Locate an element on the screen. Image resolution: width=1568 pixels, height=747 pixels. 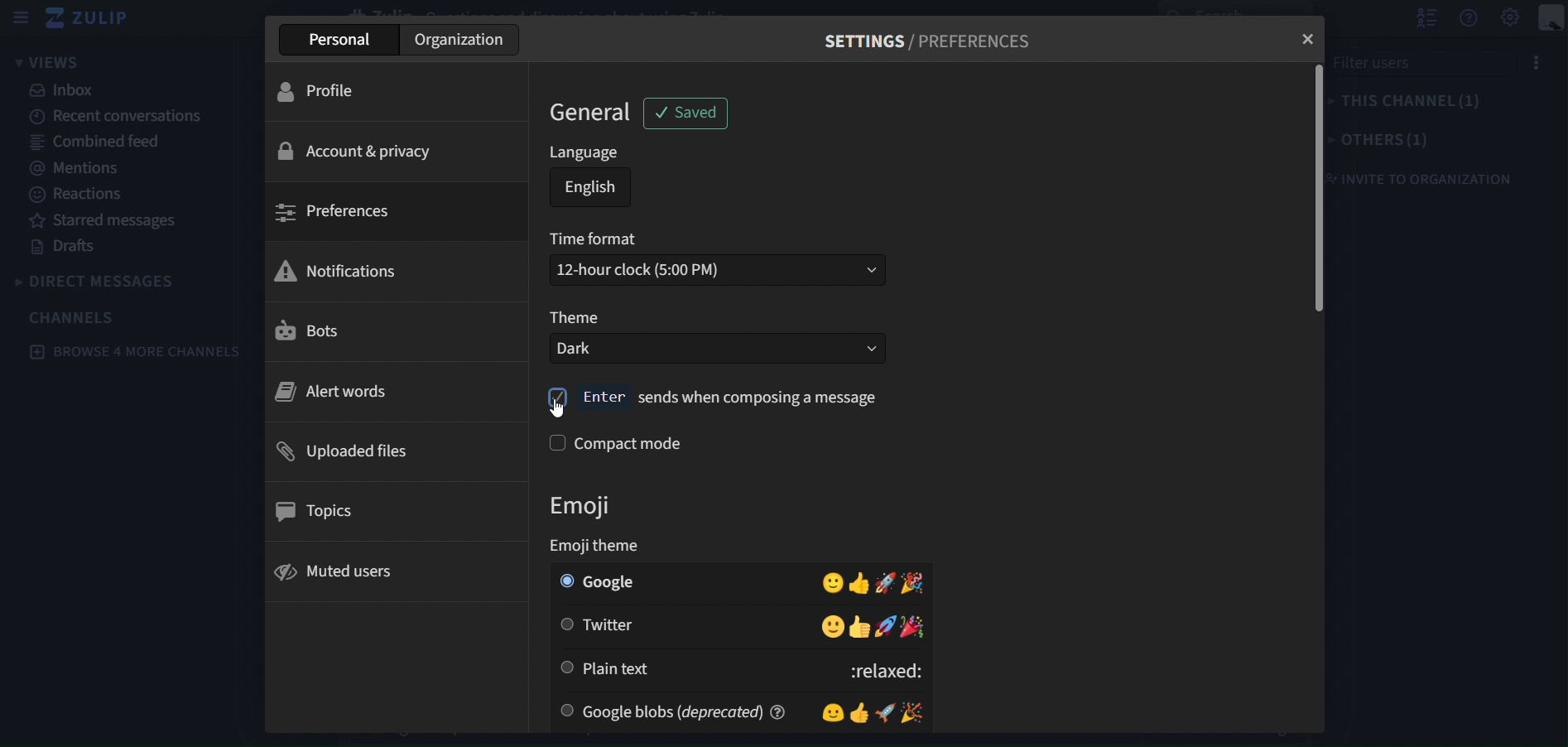
Google is located at coordinates (695, 581).